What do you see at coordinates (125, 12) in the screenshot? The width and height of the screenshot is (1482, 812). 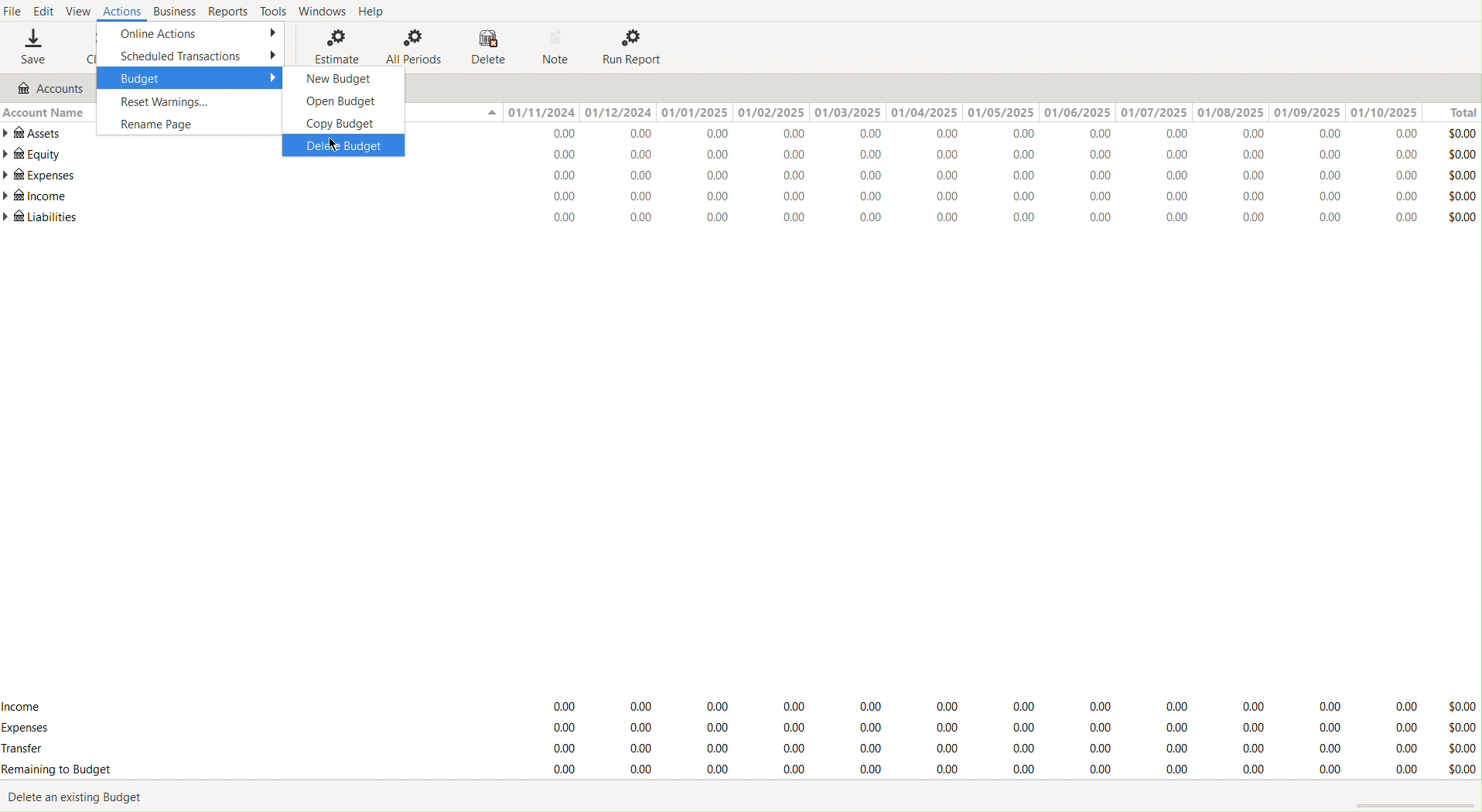 I see `Actions` at bounding box center [125, 12].